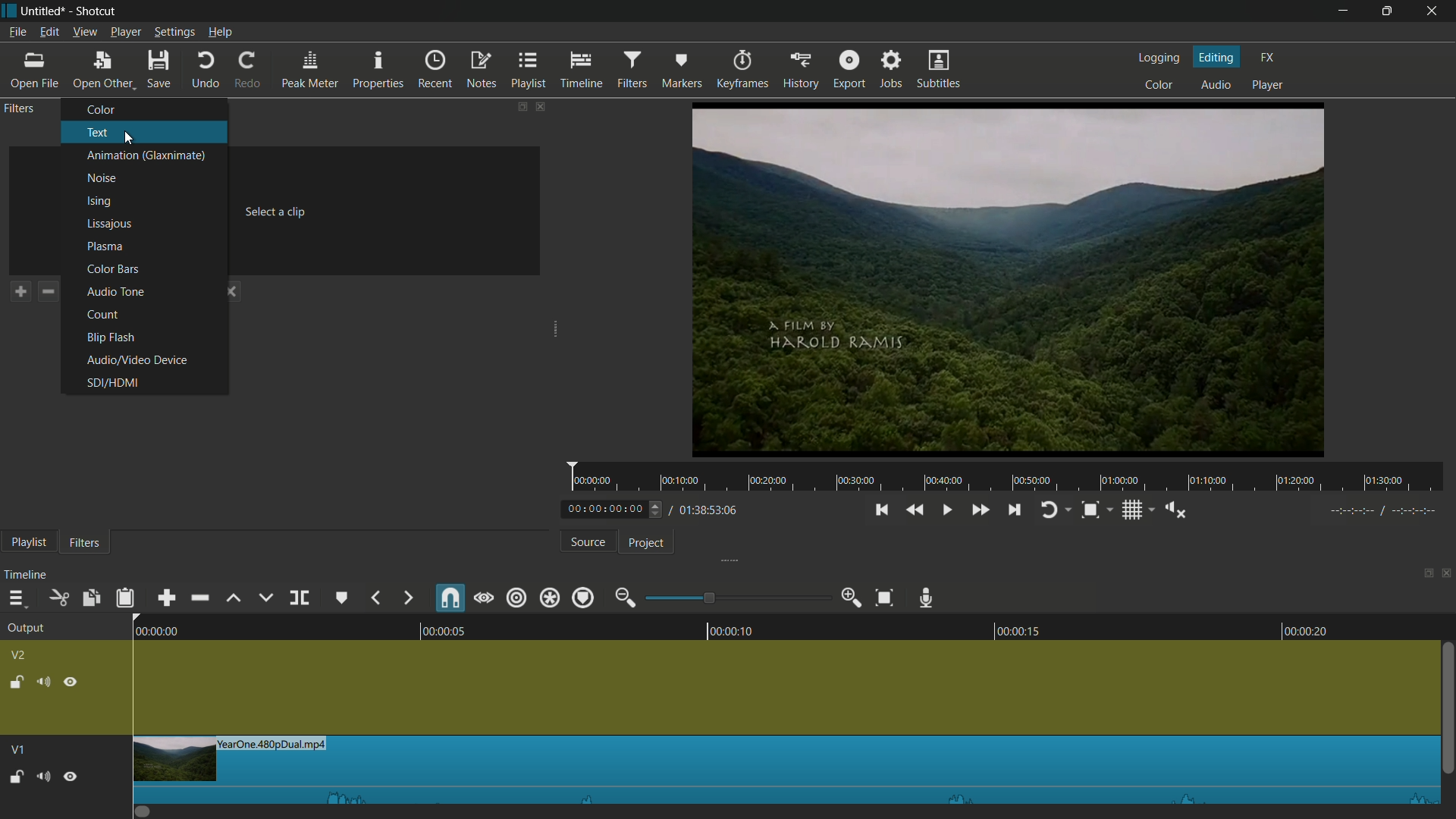  What do you see at coordinates (33, 71) in the screenshot?
I see `open file` at bounding box center [33, 71].